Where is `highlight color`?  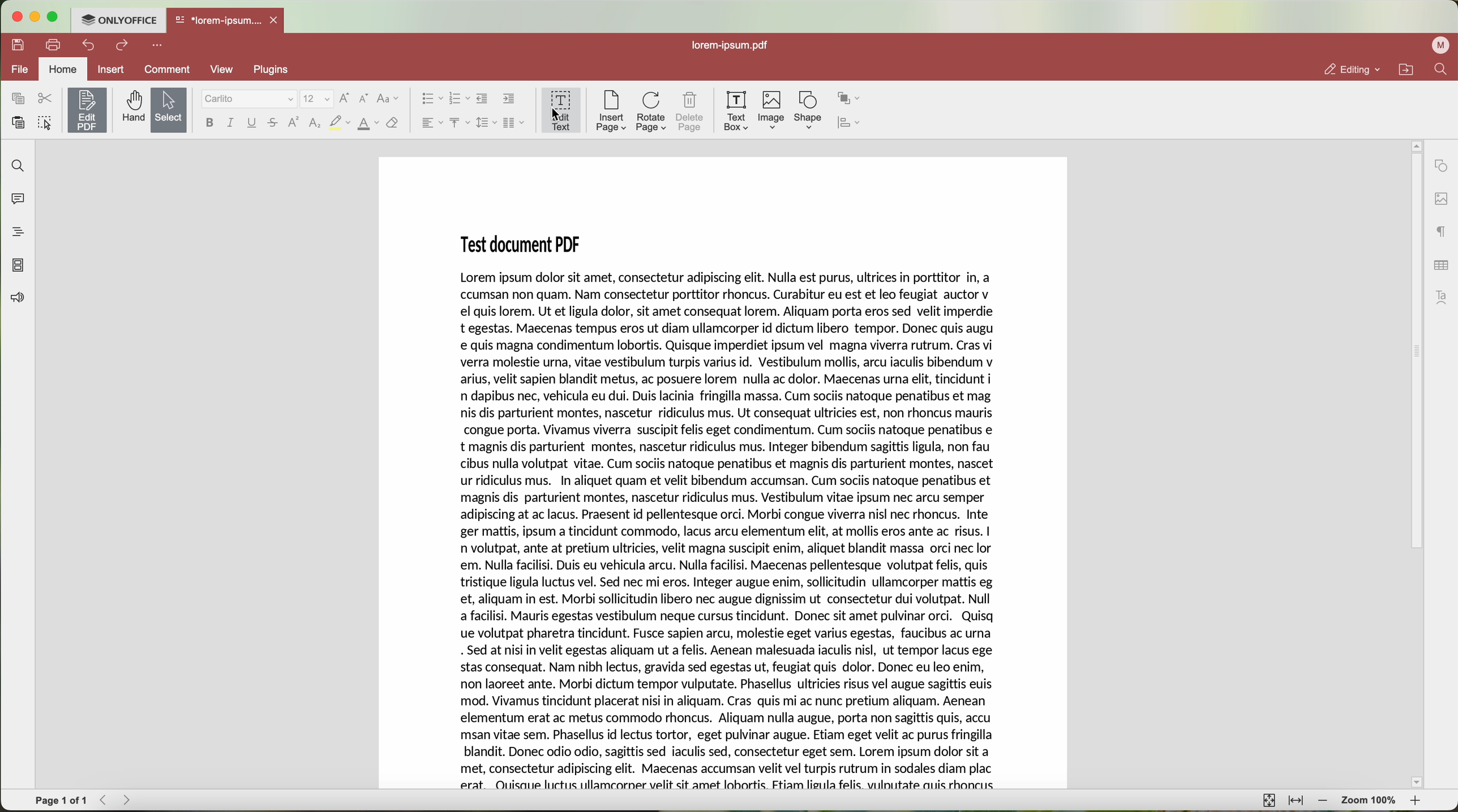 highlight color is located at coordinates (340, 123).